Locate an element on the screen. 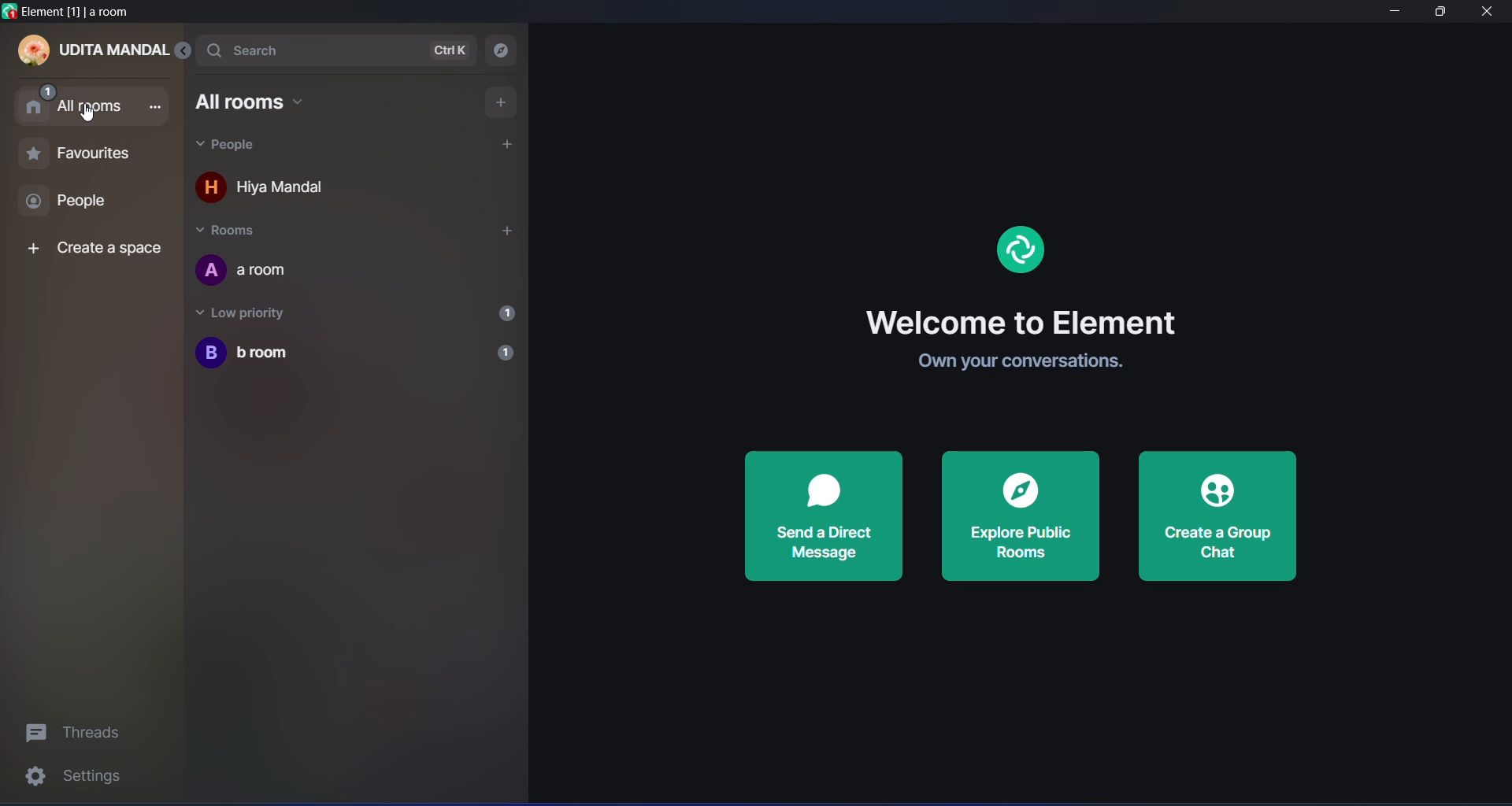 Image resolution: width=1512 pixels, height=806 pixels. Ctrl K is located at coordinates (452, 50).